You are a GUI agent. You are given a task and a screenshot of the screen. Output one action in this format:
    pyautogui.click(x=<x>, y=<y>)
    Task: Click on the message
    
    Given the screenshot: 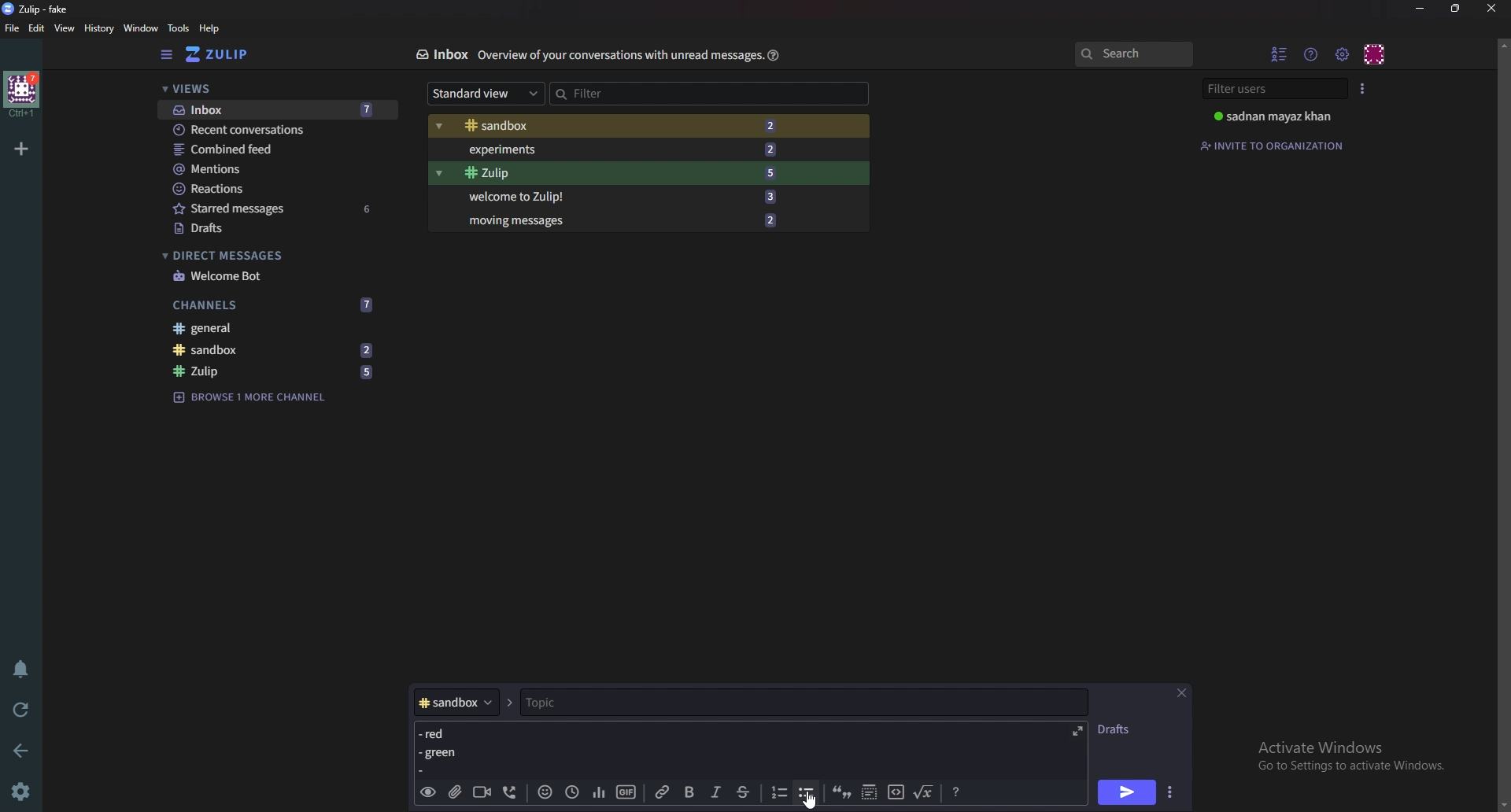 What is the action you would take?
    pyautogui.click(x=446, y=747)
    